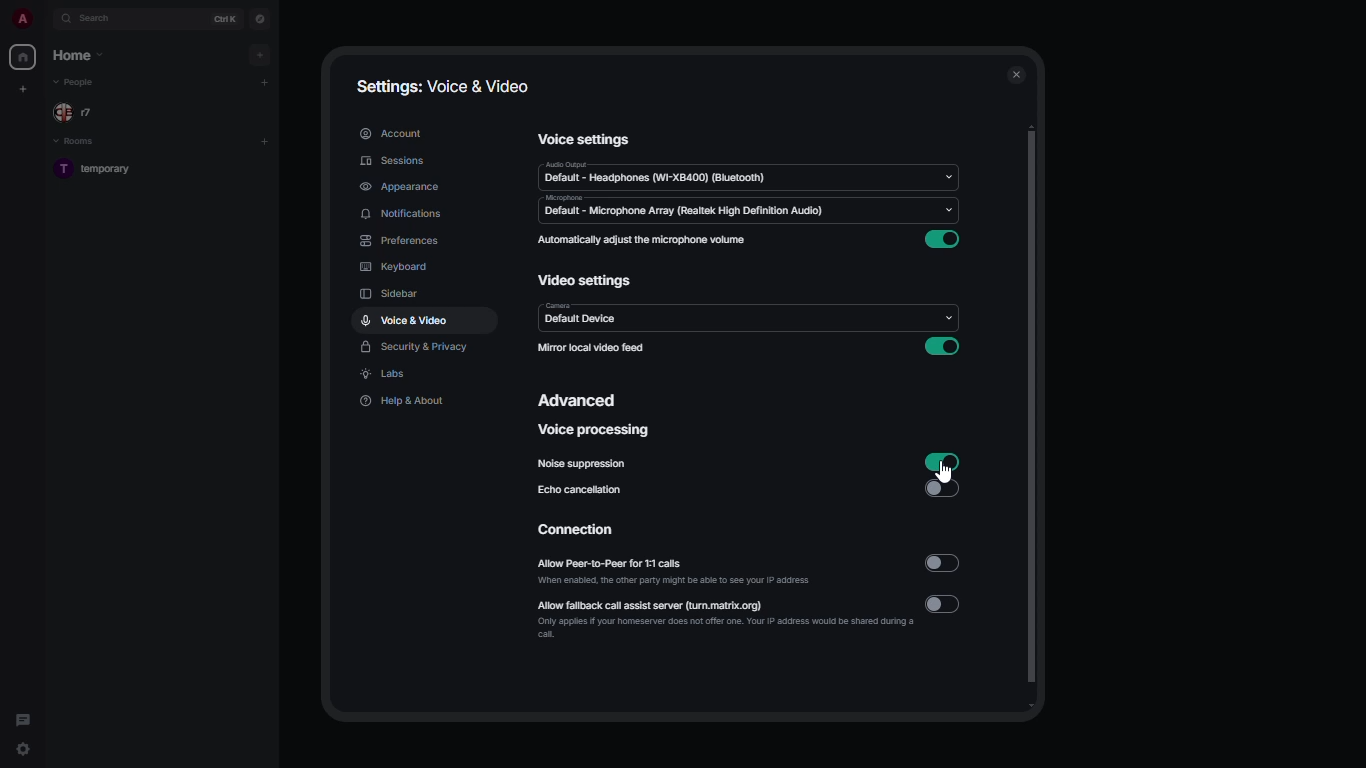 This screenshot has width=1366, height=768. I want to click on sessions, so click(393, 161).